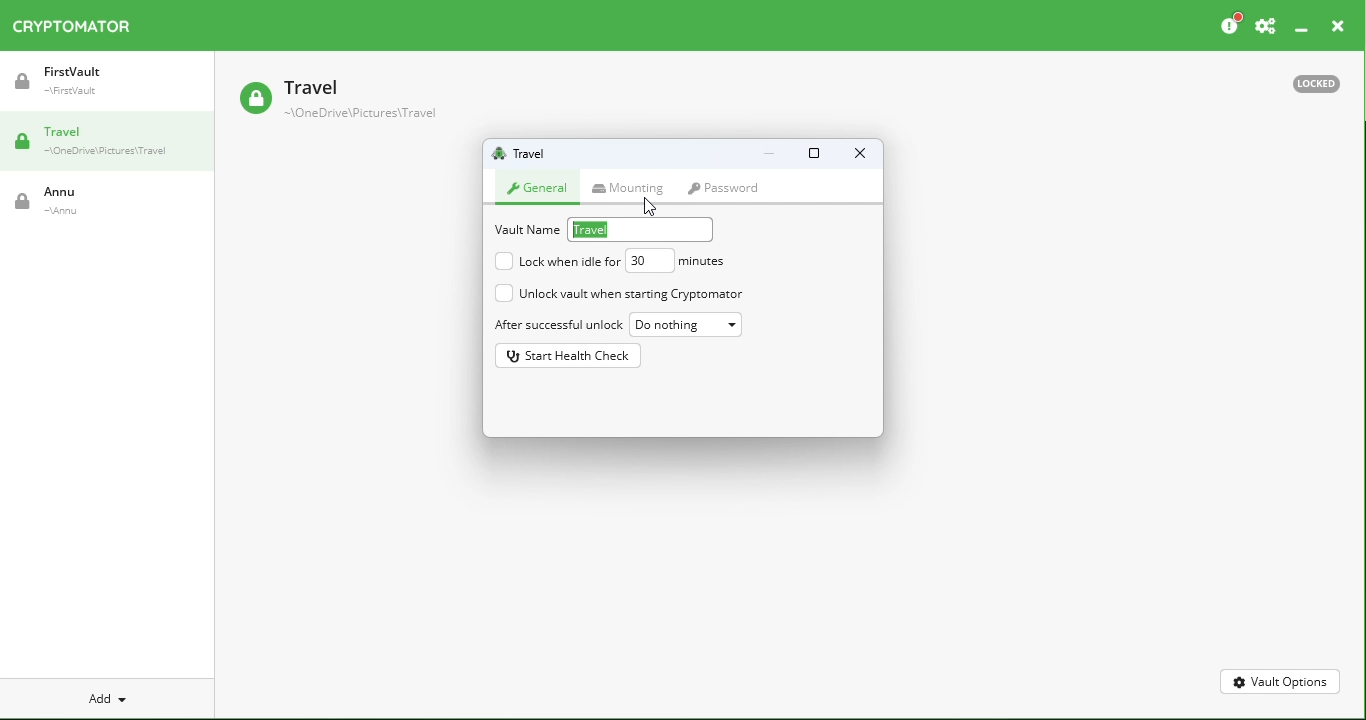 The width and height of the screenshot is (1366, 720). What do you see at coordinates (729, 188) in the screenshot?
I see `Password` at bounding box center [729, 188].